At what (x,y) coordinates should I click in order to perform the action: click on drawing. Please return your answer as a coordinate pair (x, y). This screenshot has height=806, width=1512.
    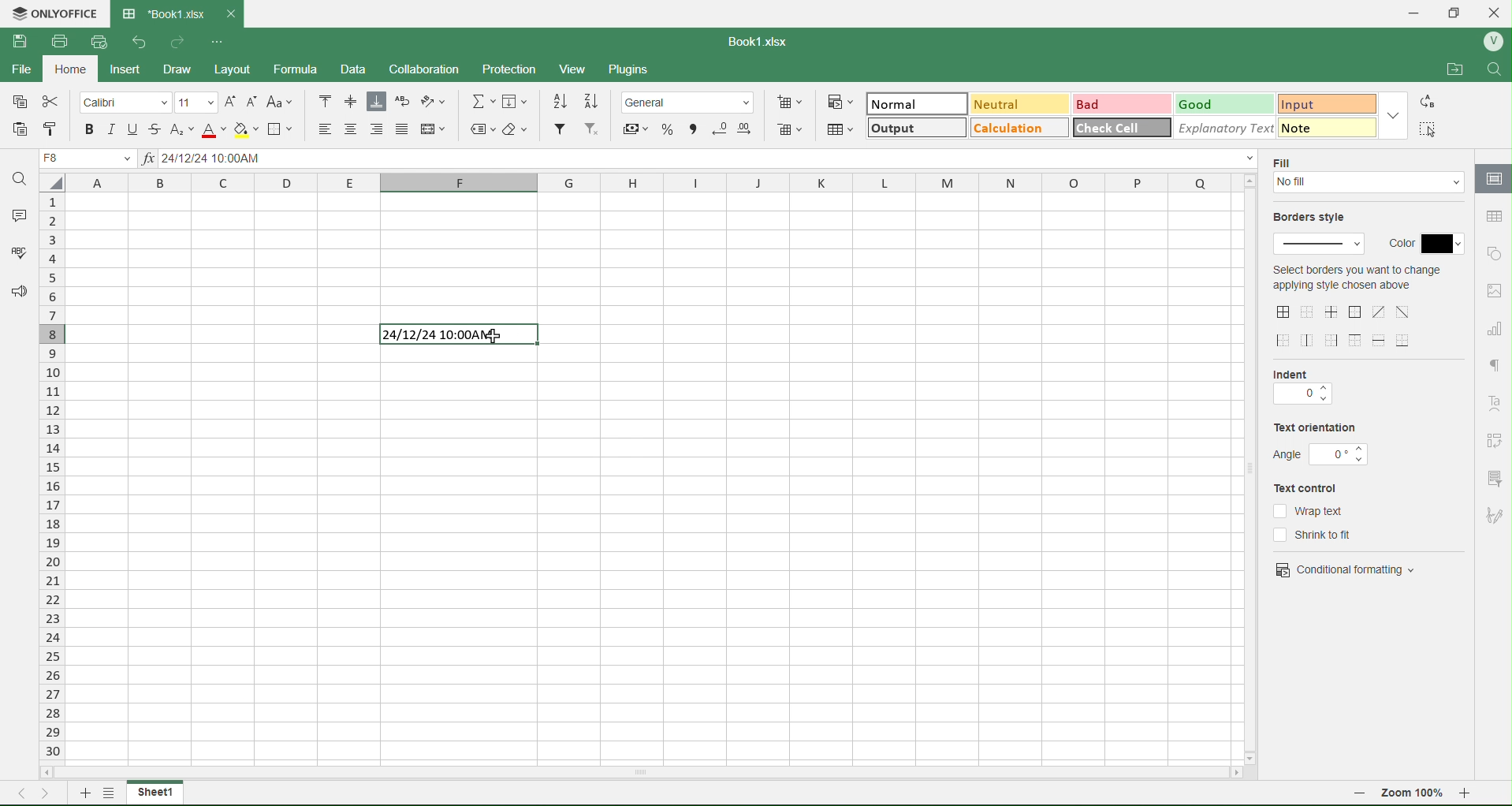
    Looking at the image, I should click on (1492, 180).